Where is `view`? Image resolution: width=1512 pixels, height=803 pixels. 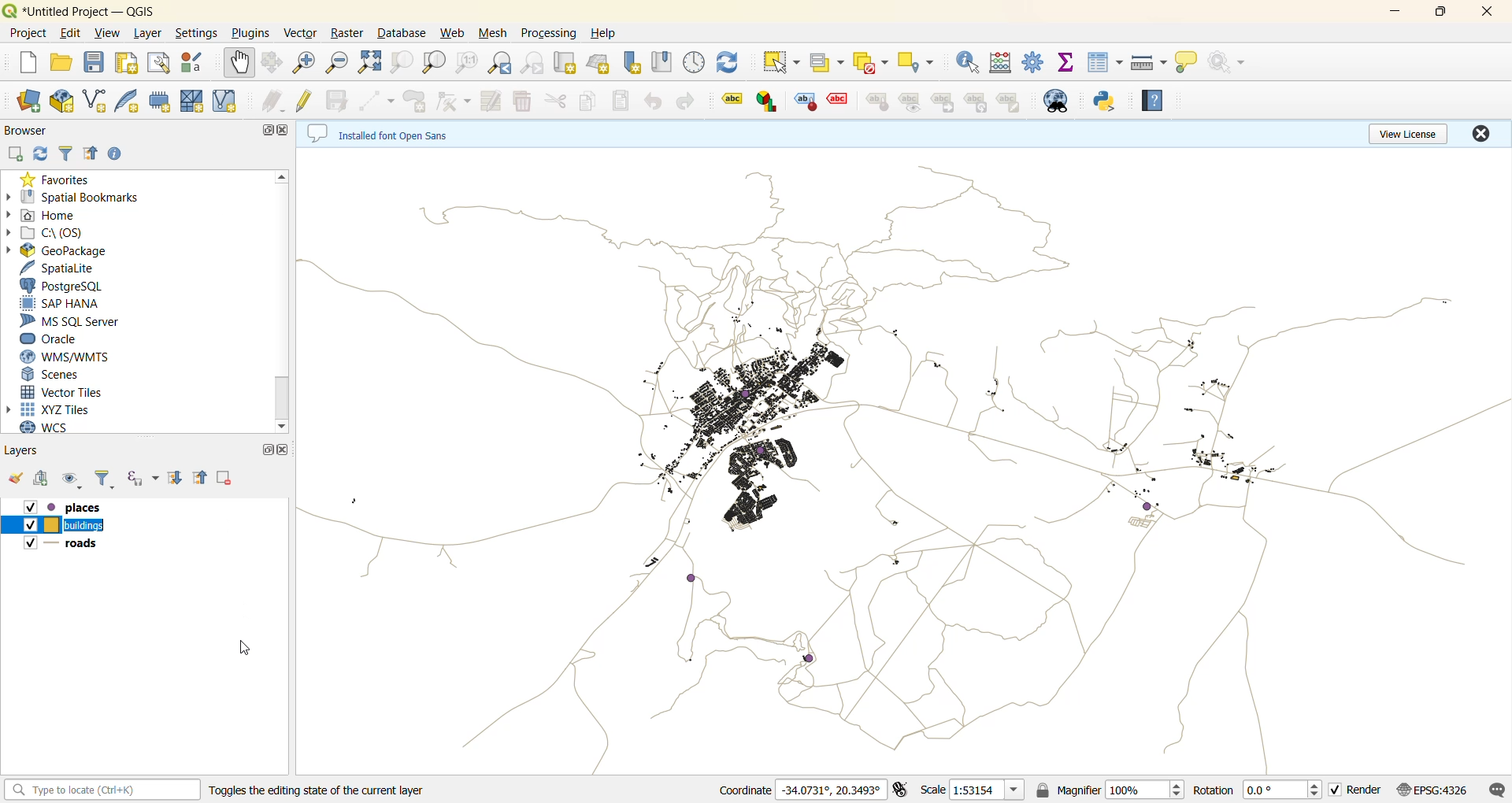 view is located at coordinates (109, 35).